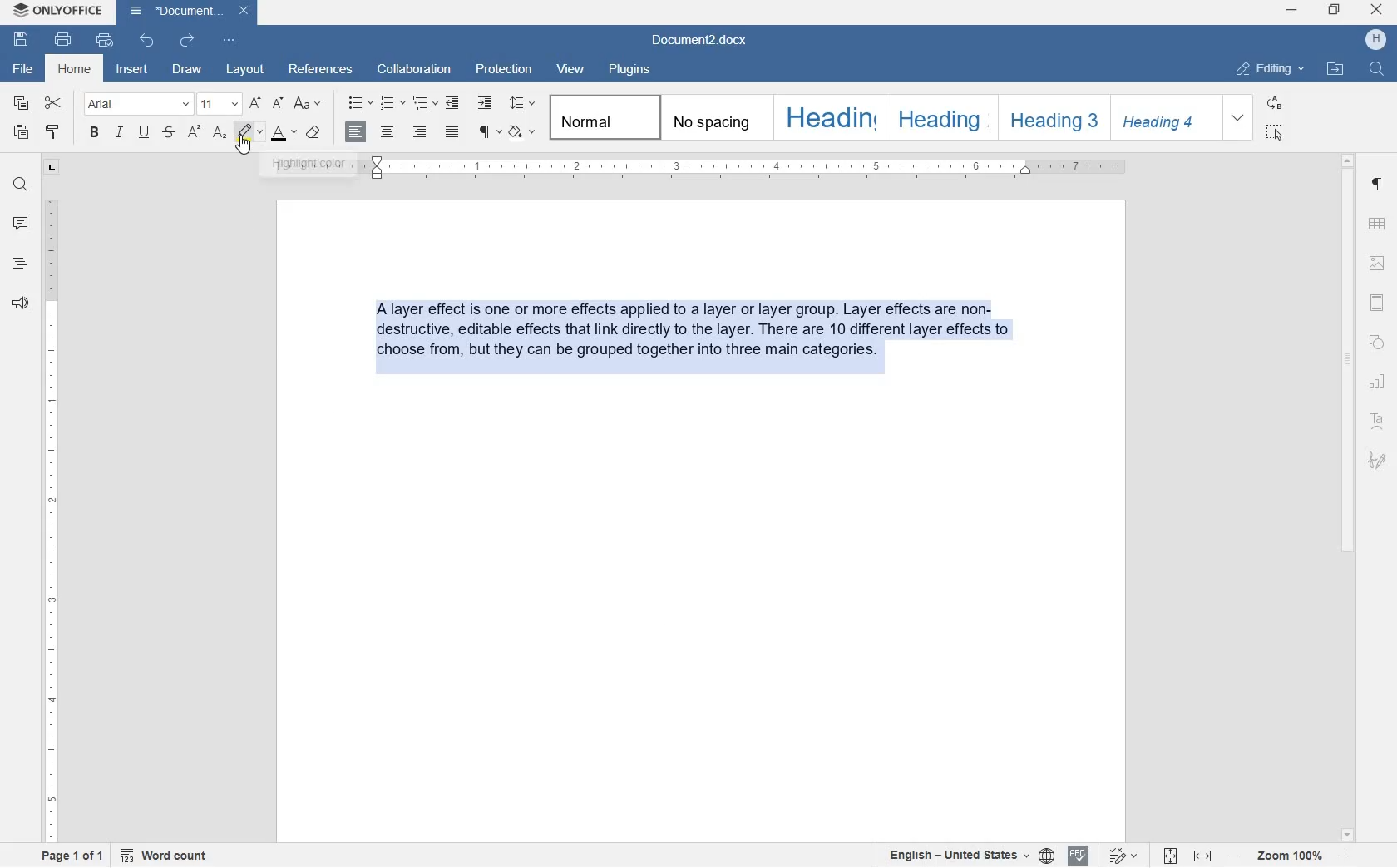 The height and width of the screenshot is (868, 1397). Describe the element at coordinates (187, 42) in the screenshot. I see `REDO` at that location.